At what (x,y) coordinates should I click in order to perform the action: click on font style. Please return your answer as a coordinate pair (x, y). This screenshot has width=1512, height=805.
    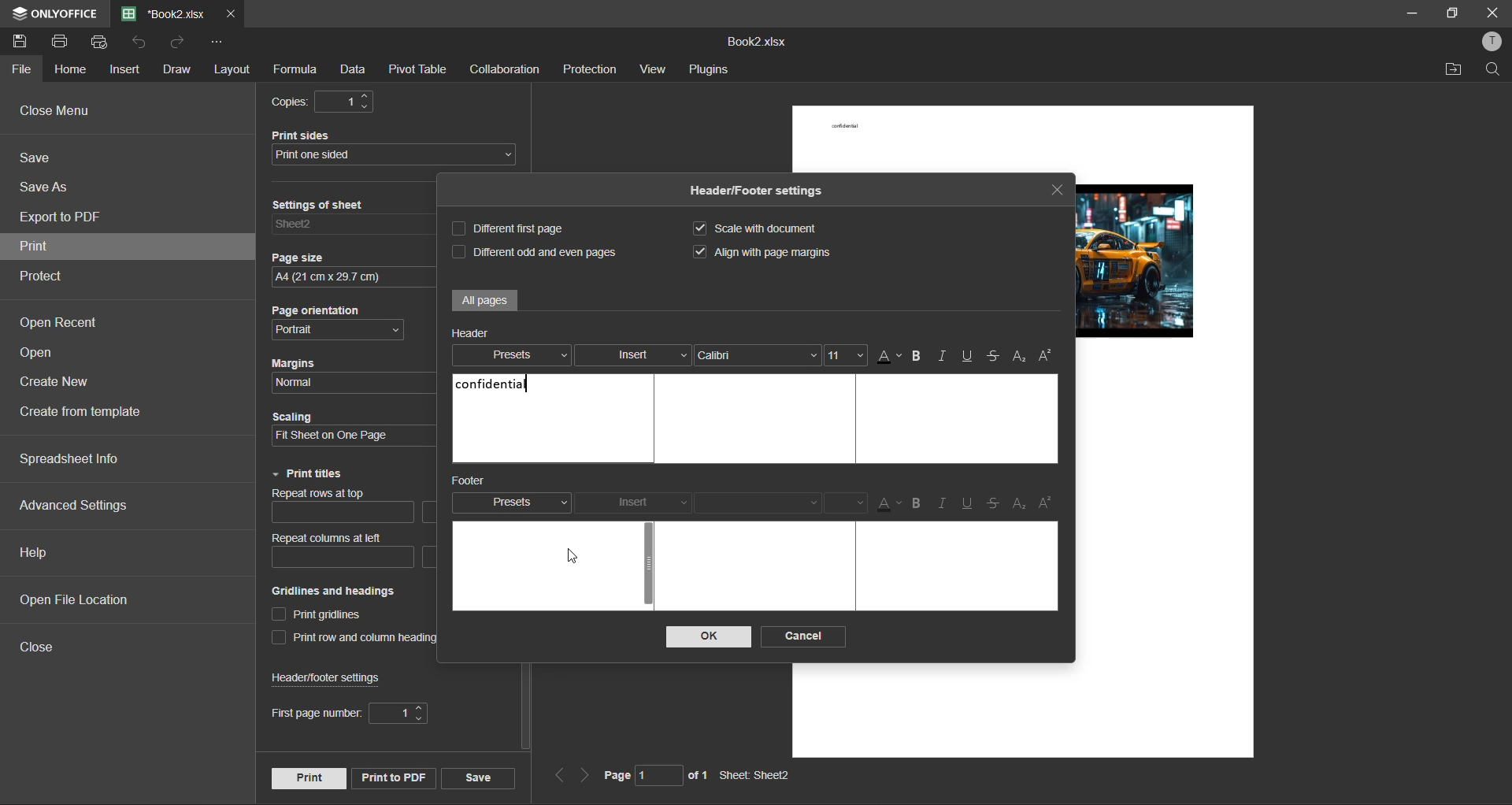
    Looking at the image, I should click on (759, 354).